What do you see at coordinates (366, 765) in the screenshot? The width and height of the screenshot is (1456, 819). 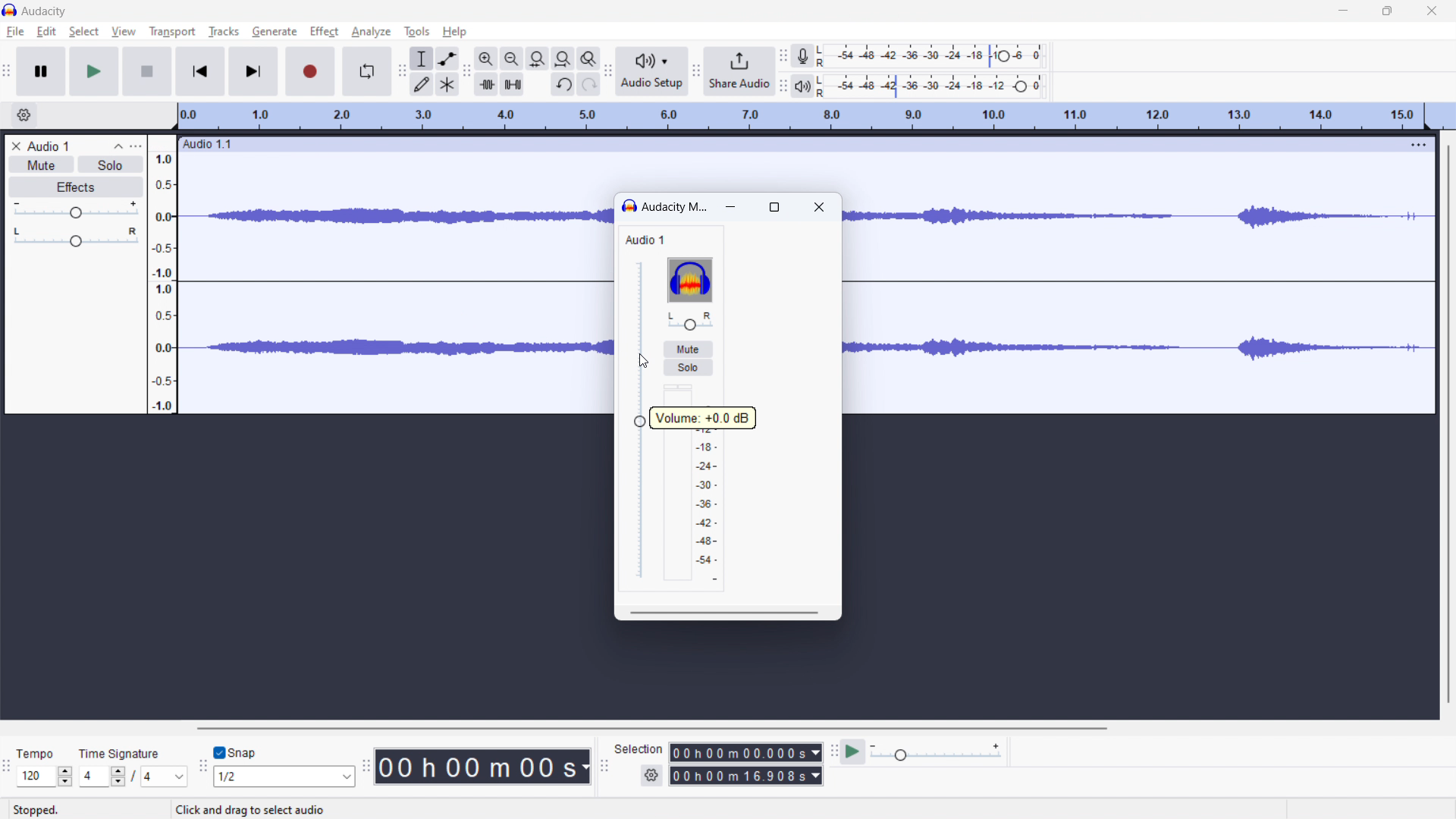 I see `time toolbar` at bounding box center [366, 765].